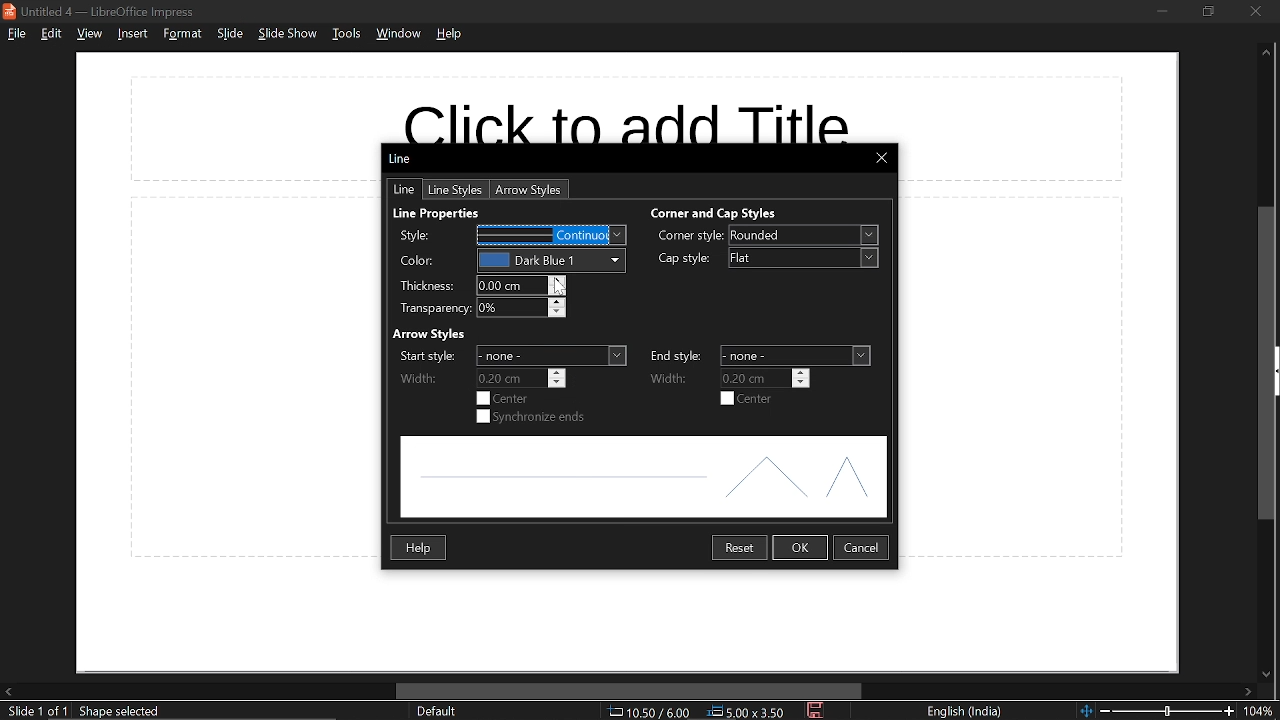 The height and width of the screenshot is (720, 1280). I want to click on star style, so click(554, 356).